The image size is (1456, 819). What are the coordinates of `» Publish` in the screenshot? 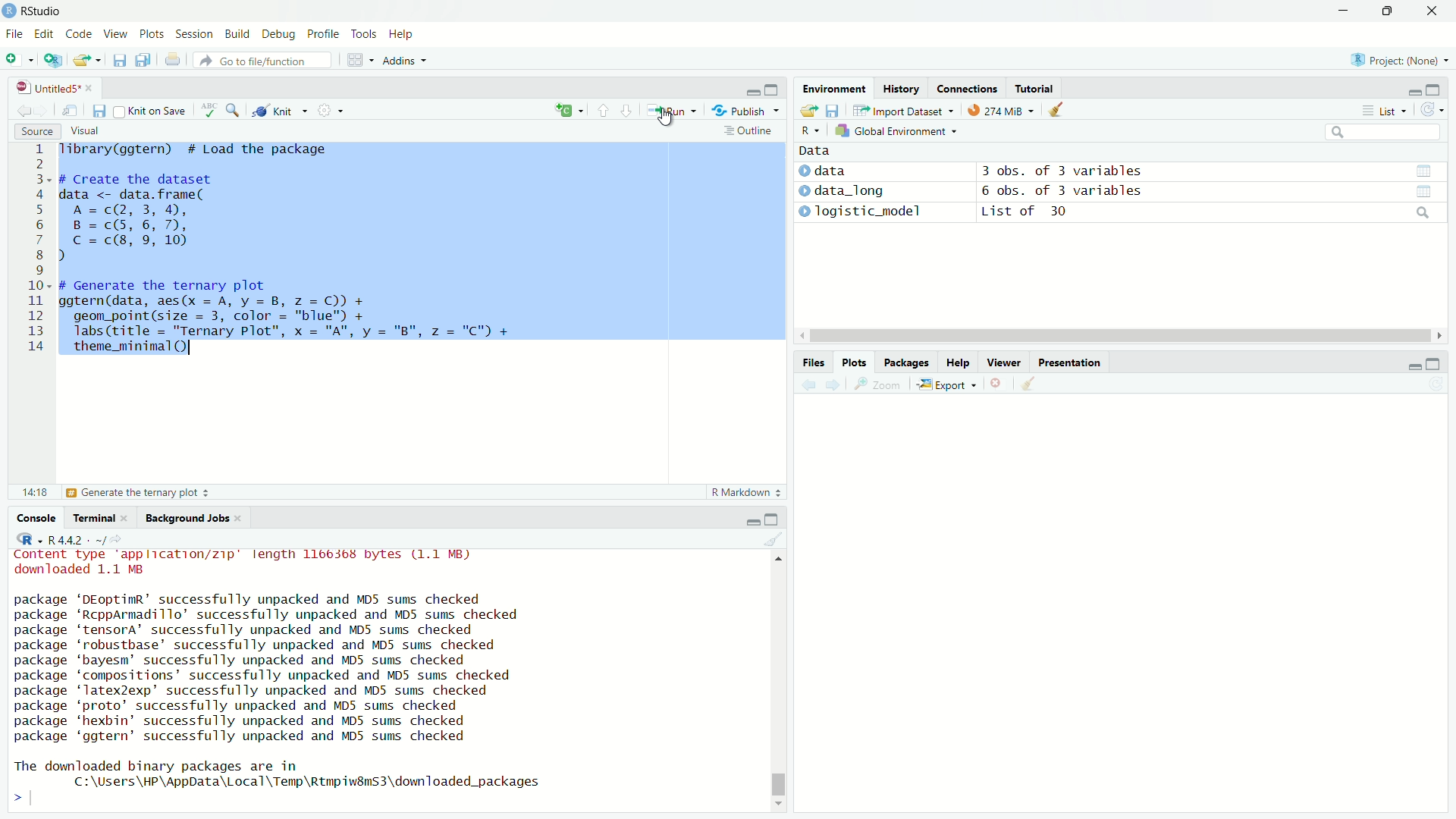 It's located at (740, 110).